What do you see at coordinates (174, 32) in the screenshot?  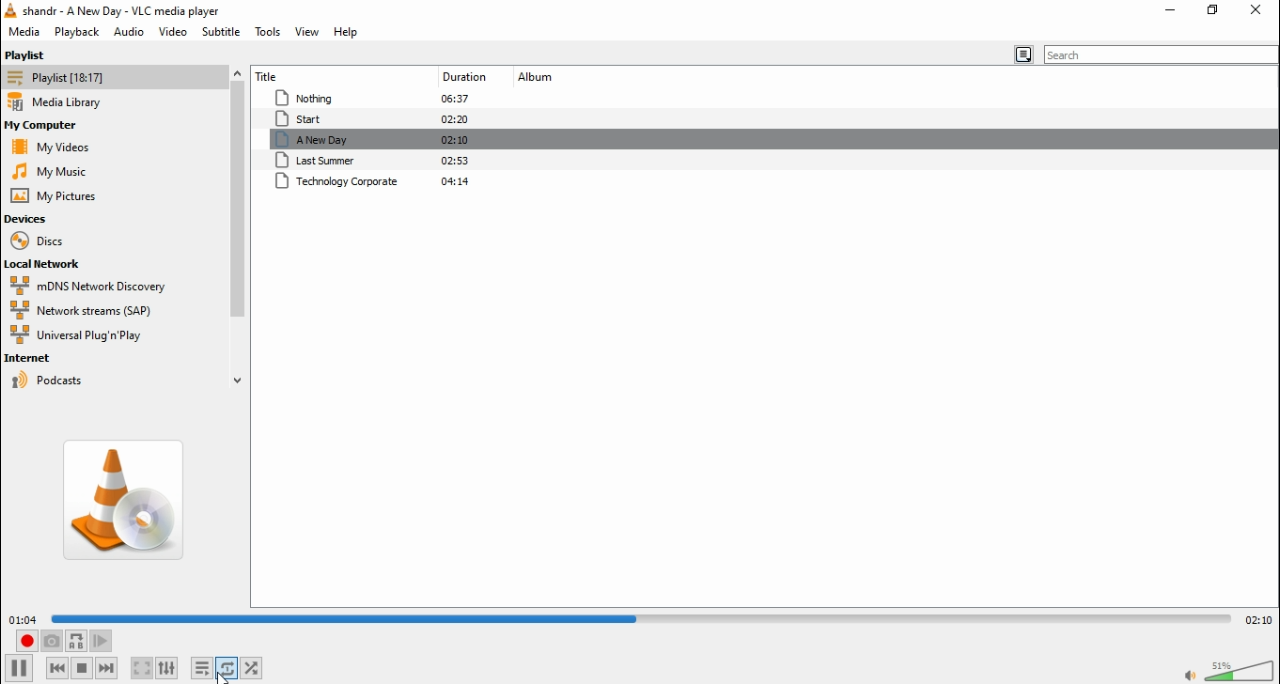 I see `video` at bounding box center [174, 32].